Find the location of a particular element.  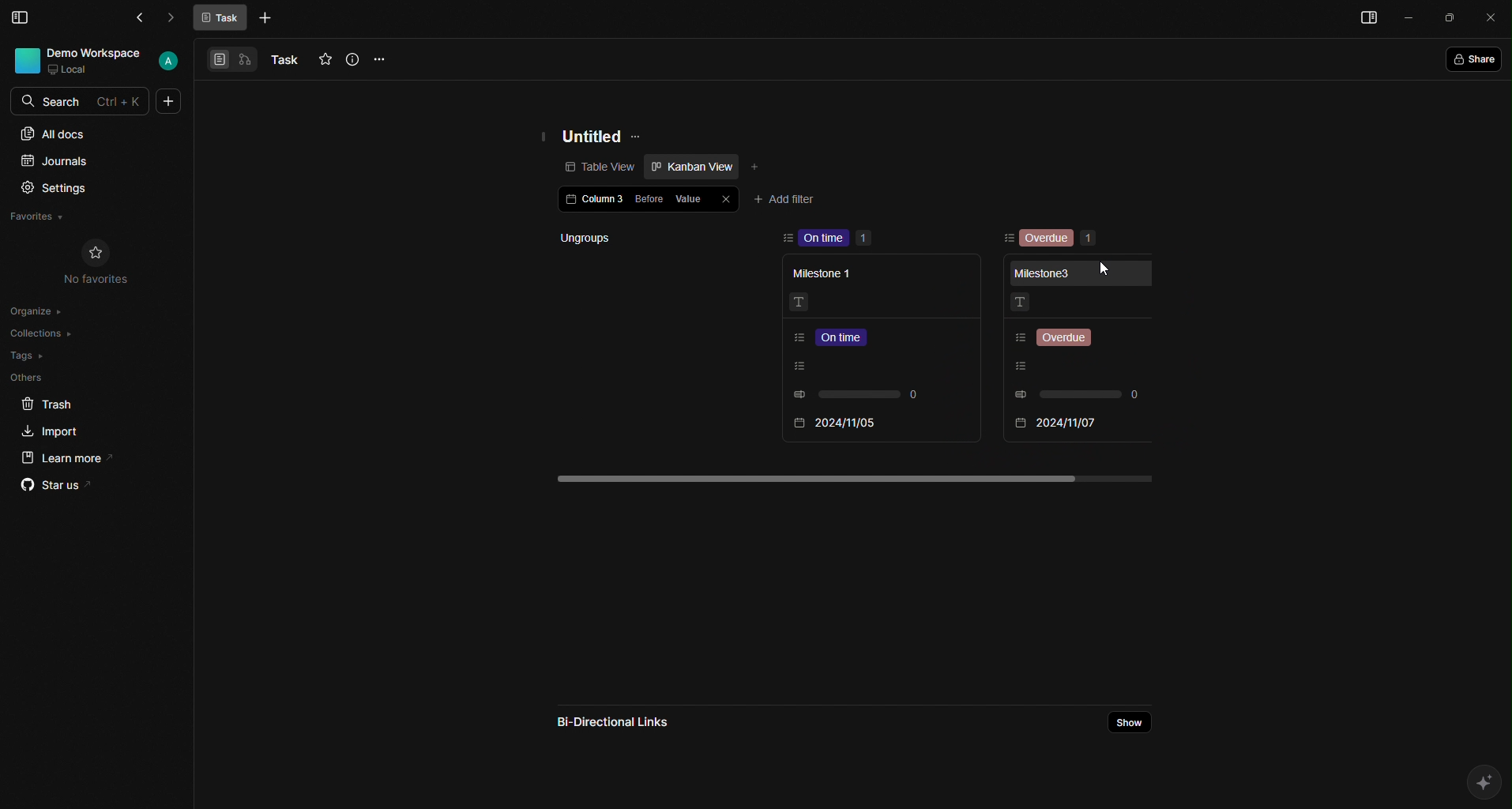

Settings is located at coordinates (54, 188).